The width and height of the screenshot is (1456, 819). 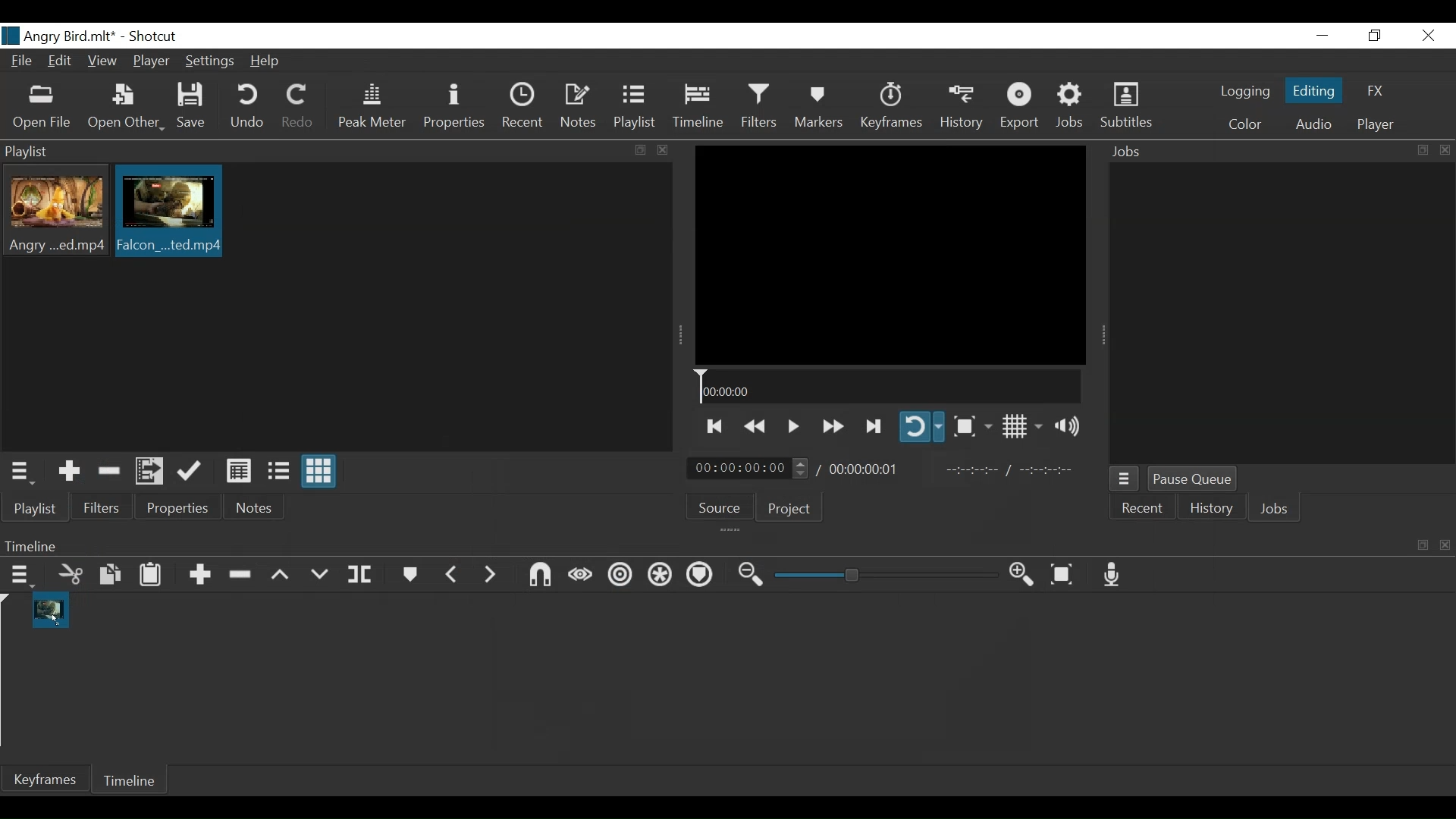 I want to click on Filters, so click(x=761, y=105).